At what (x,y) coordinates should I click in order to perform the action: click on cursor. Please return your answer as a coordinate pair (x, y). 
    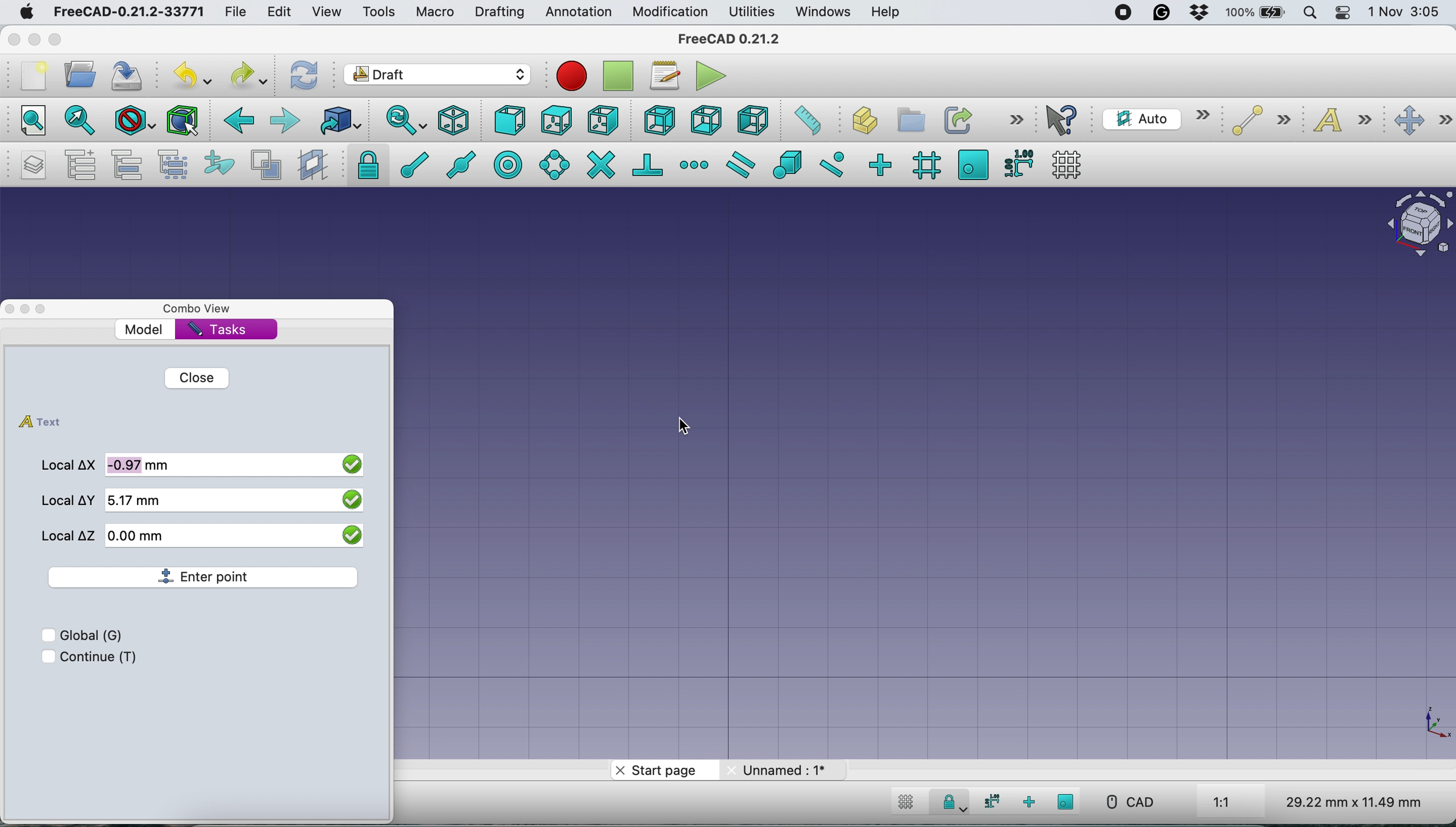
    Looking at the image, I should click on (693, 427).